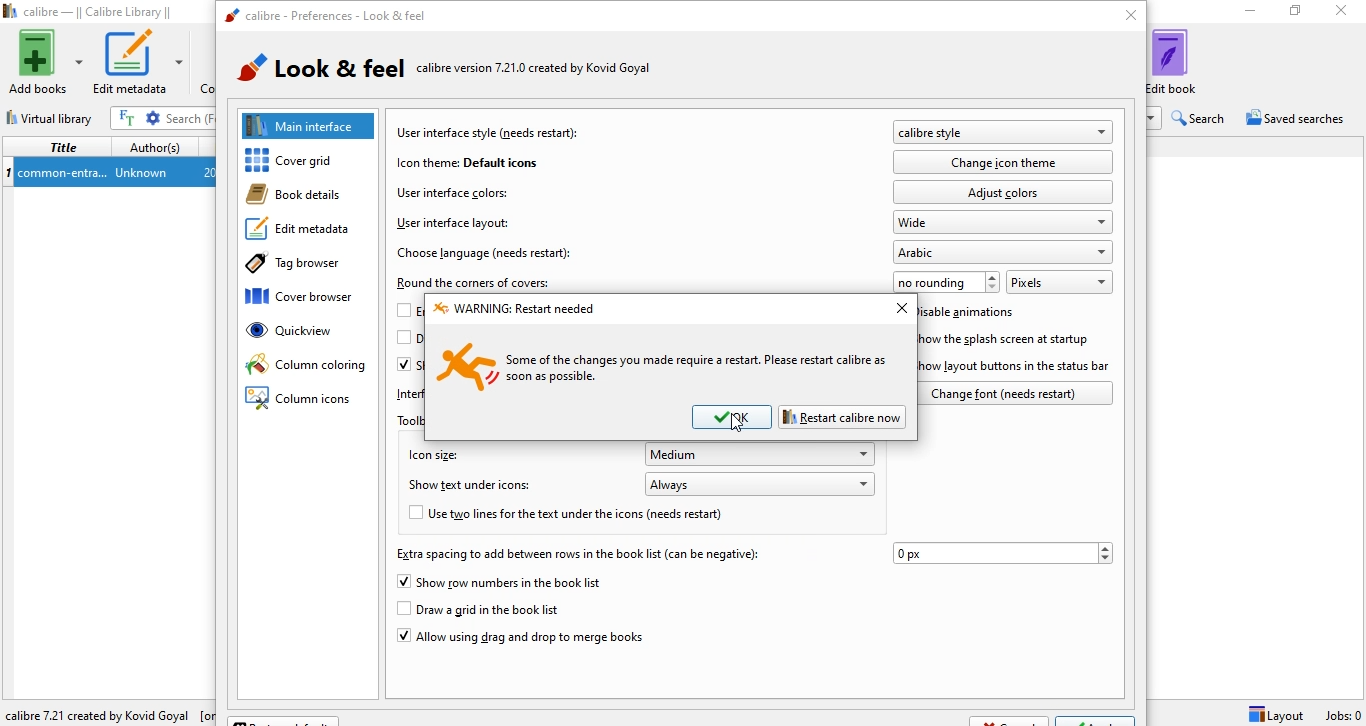  What do you see at coordinates (430, 453) in the screenshot?
I see `icon size` at bounding box center [430, 453].